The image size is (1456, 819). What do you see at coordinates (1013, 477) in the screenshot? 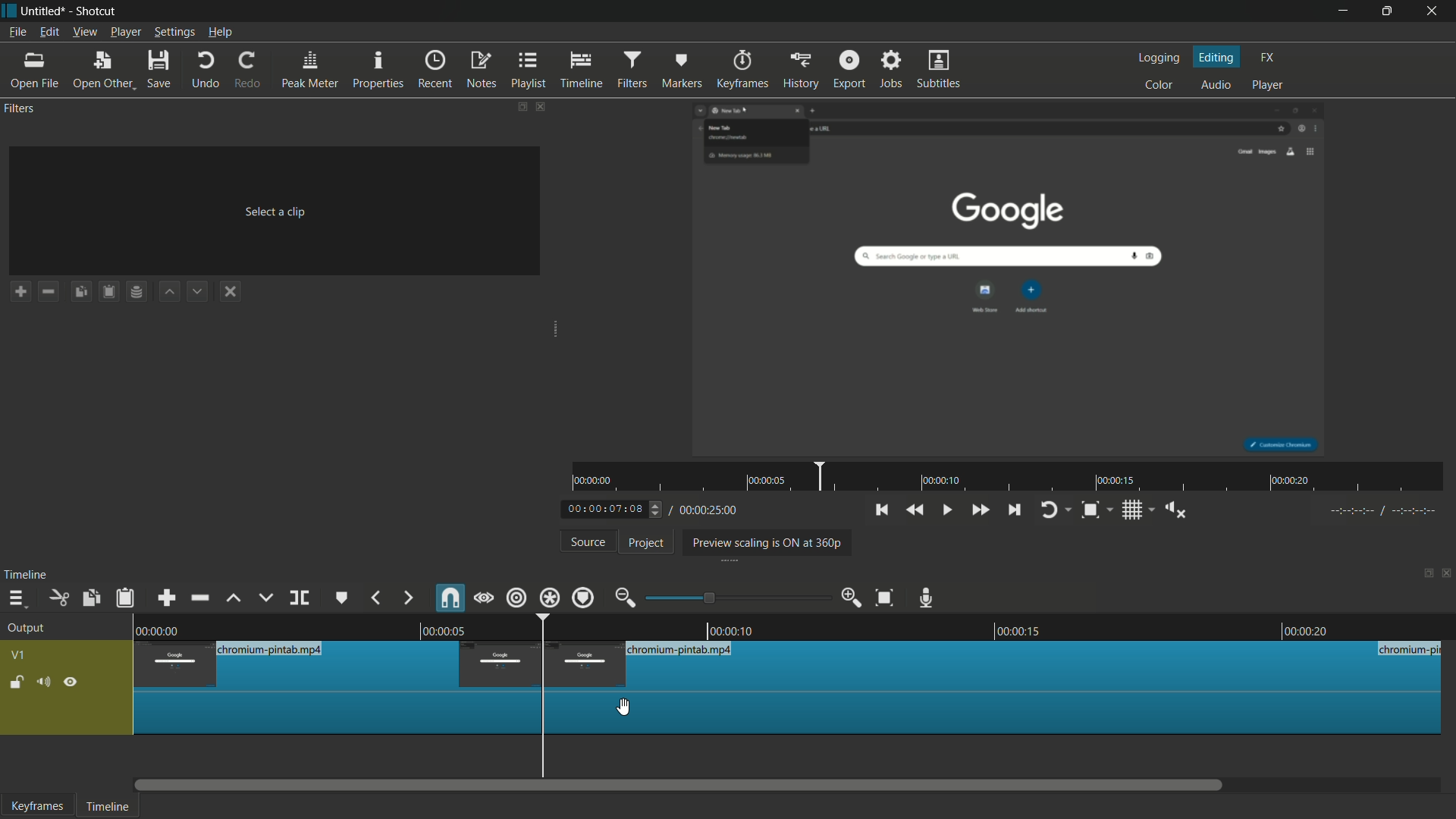
I see `time` at bounding box center [1013, 477].